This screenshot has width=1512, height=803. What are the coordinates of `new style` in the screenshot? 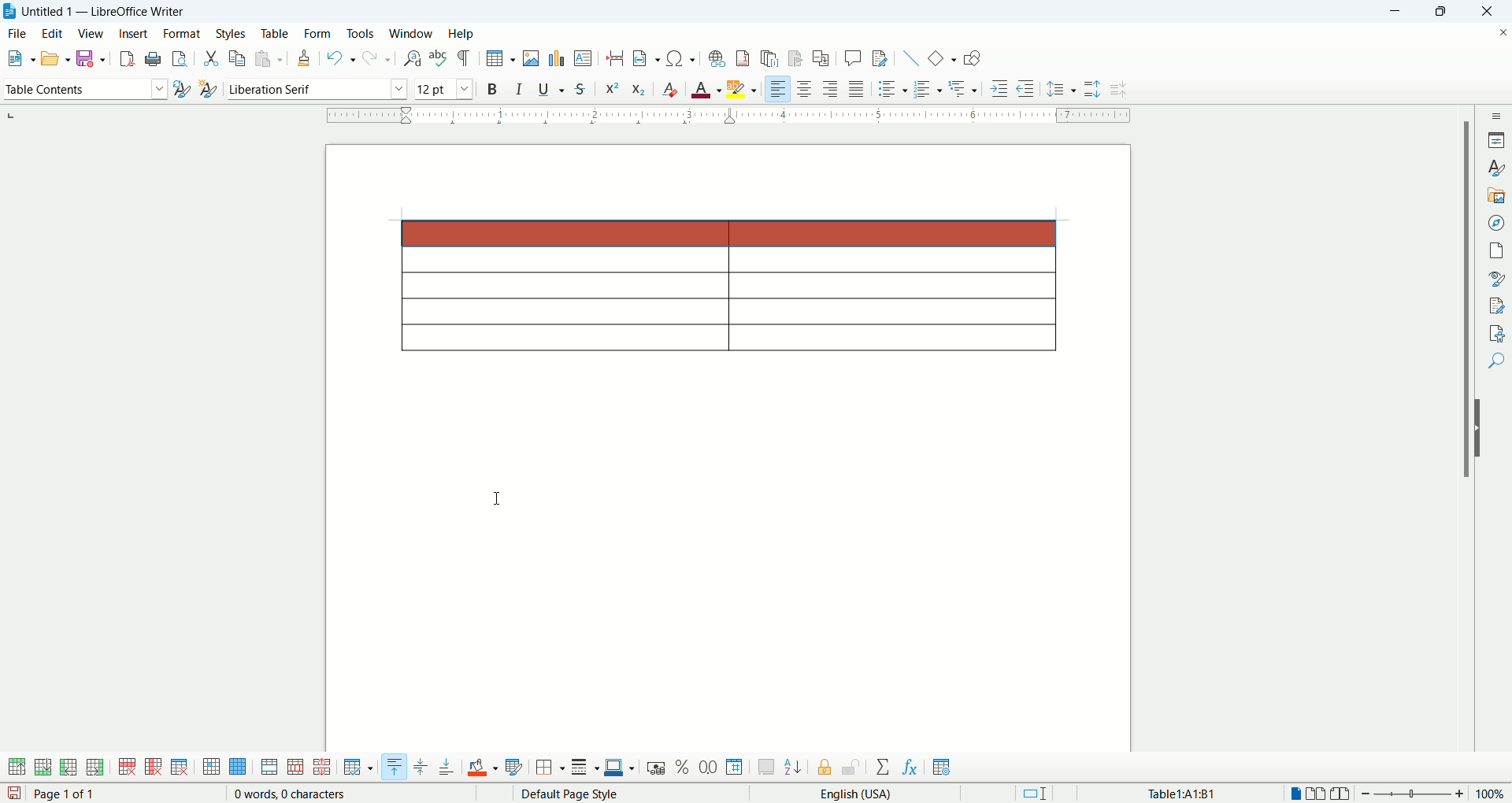 It's located at (207, 91).